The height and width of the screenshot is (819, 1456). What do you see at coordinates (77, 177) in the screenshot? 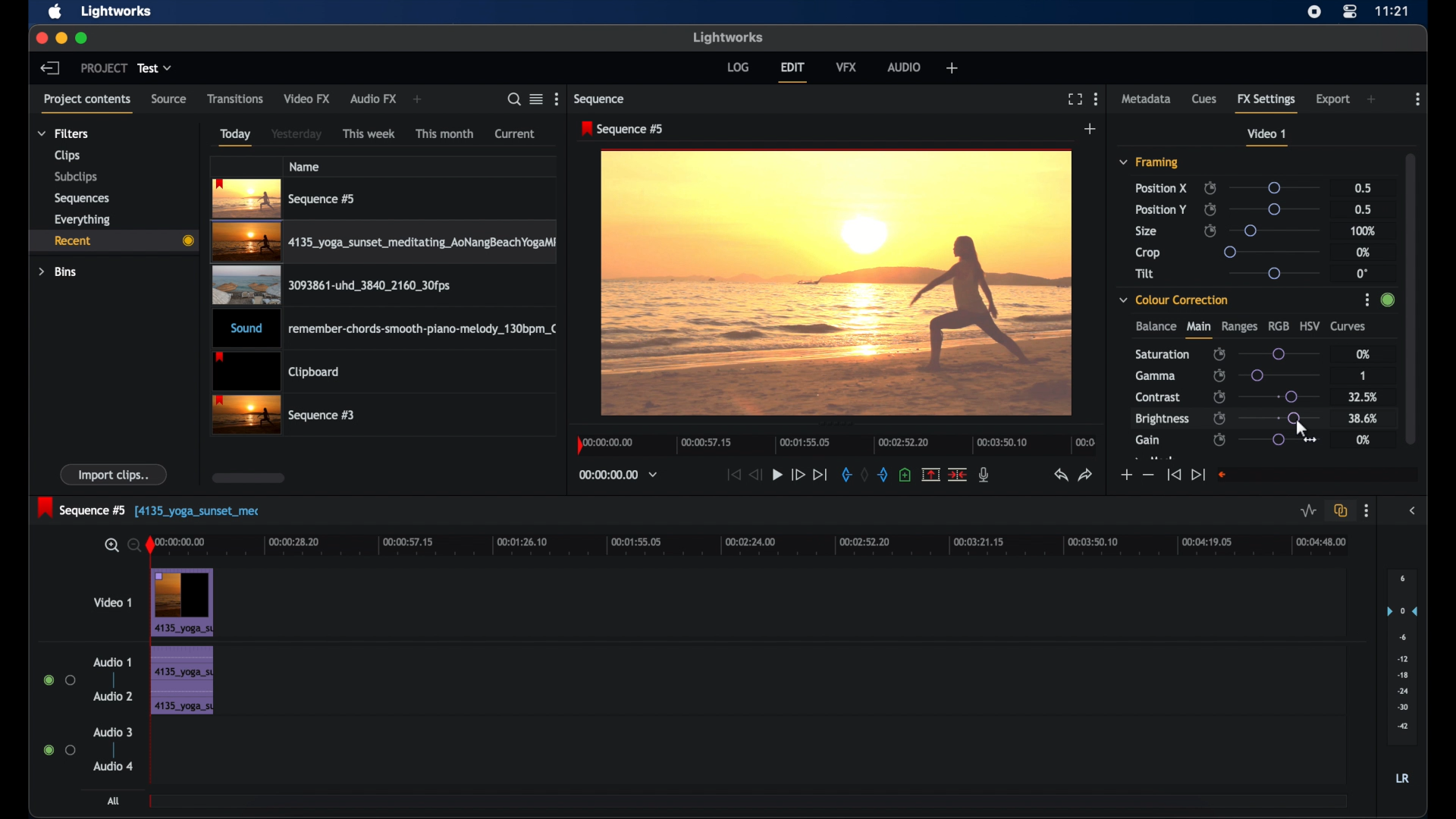
I see `subclips` at bounding box center [77, 177].